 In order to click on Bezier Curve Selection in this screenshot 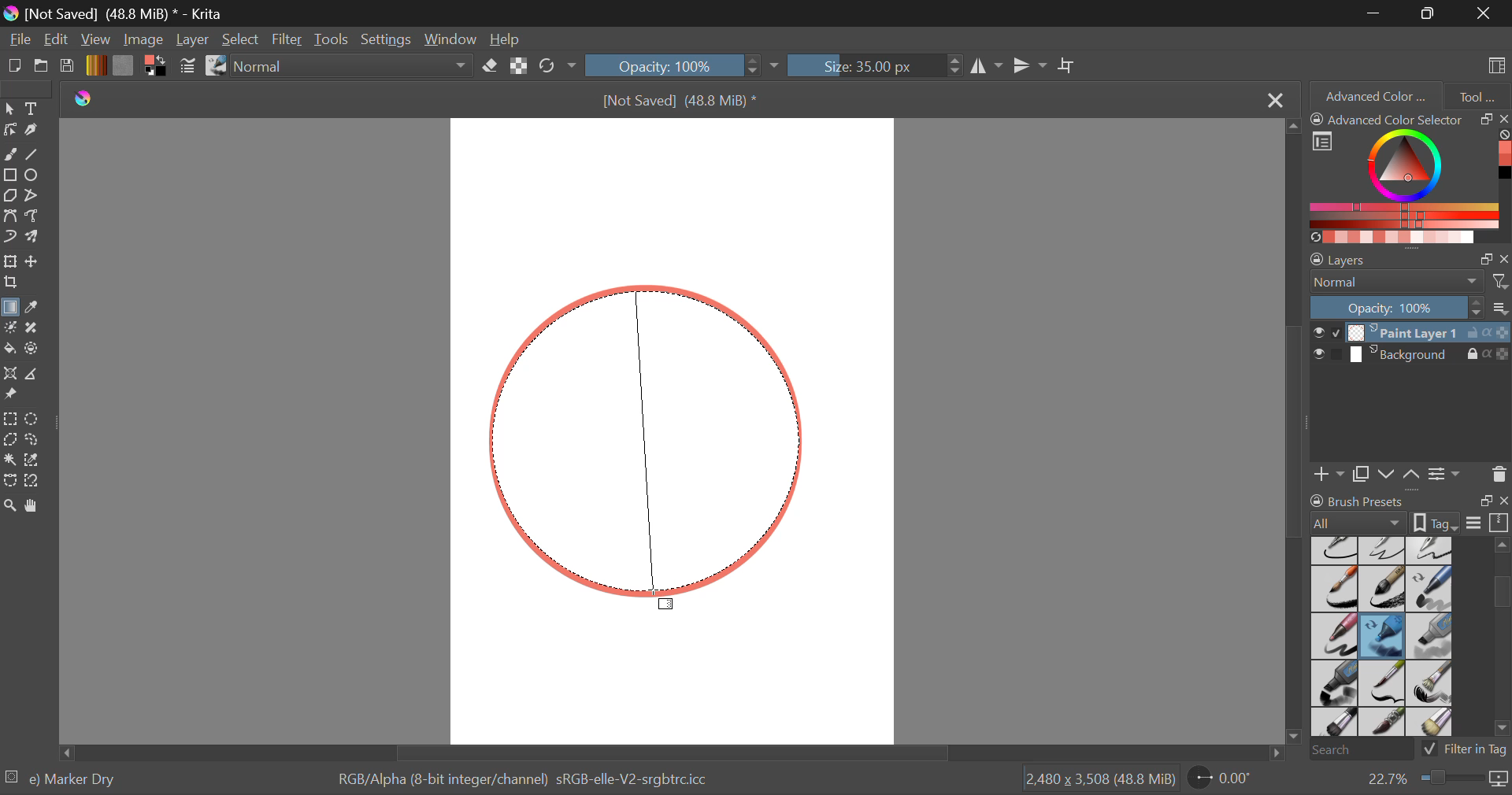, I will do `click(9, 481)`.